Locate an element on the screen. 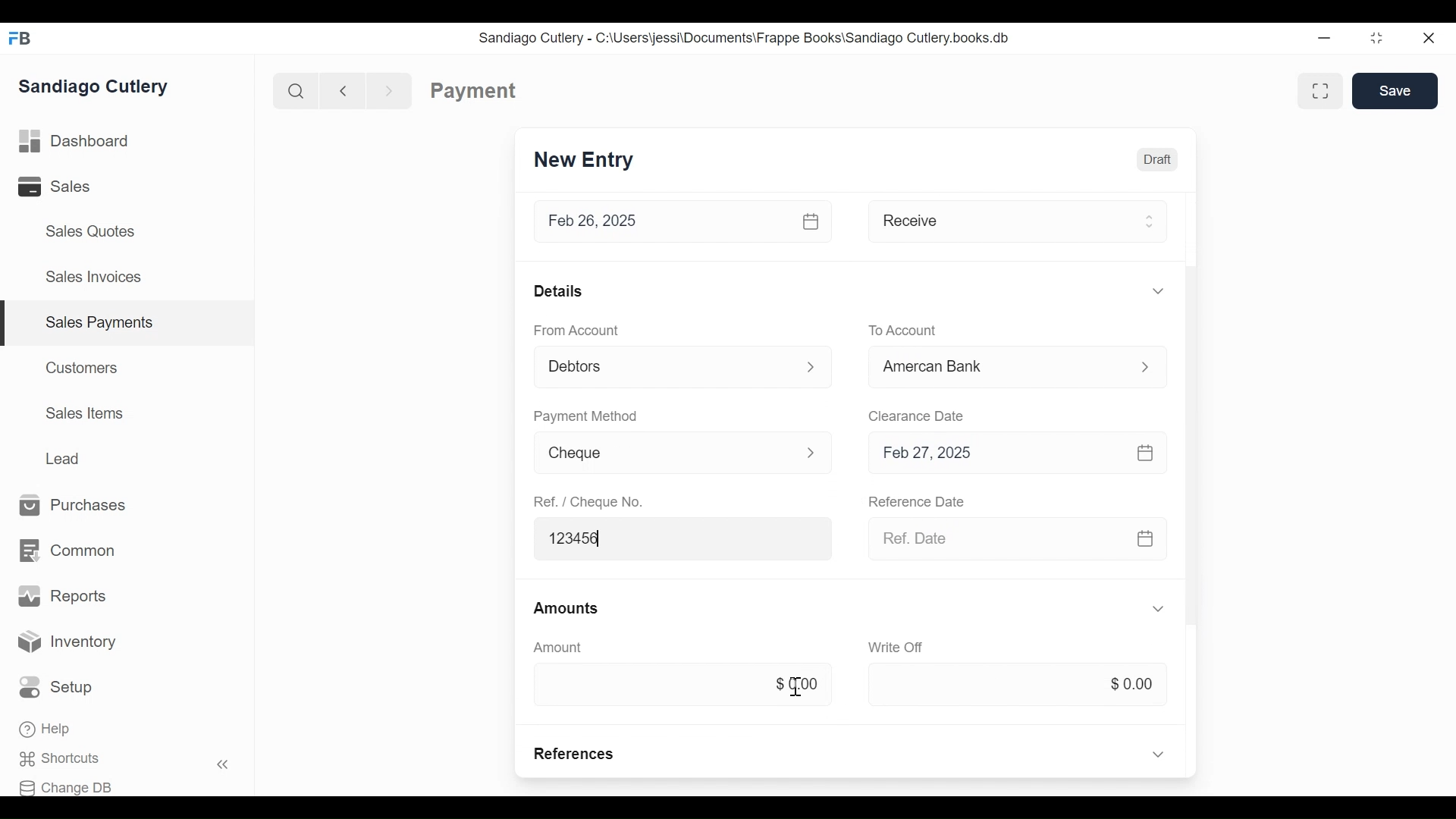  Expand is located at coordinates (1158, 753).